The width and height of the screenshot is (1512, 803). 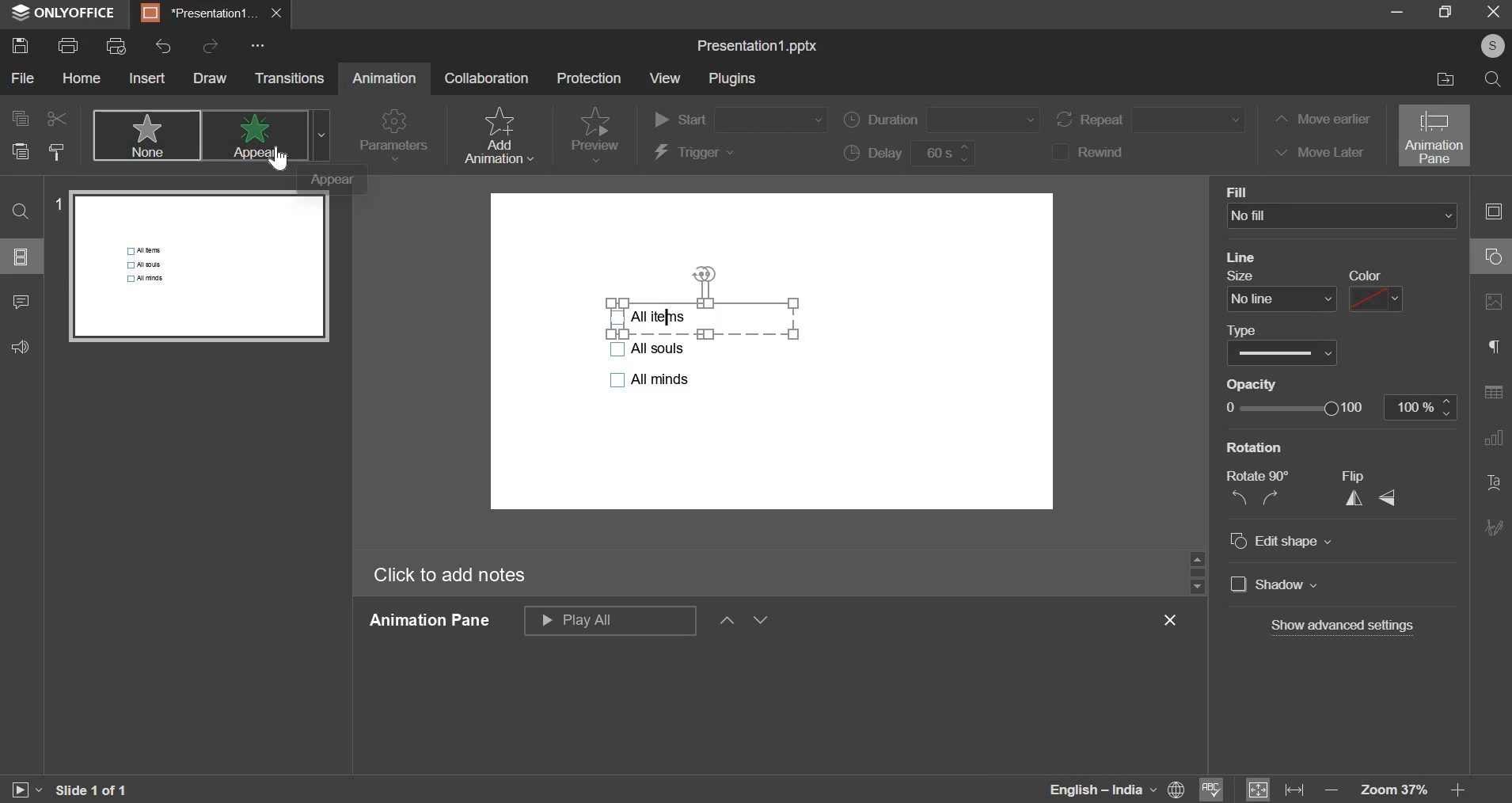 What do you see at coordinates (18, 117) in the screenshot?
I see `copy` at bounding box center [18, 117].